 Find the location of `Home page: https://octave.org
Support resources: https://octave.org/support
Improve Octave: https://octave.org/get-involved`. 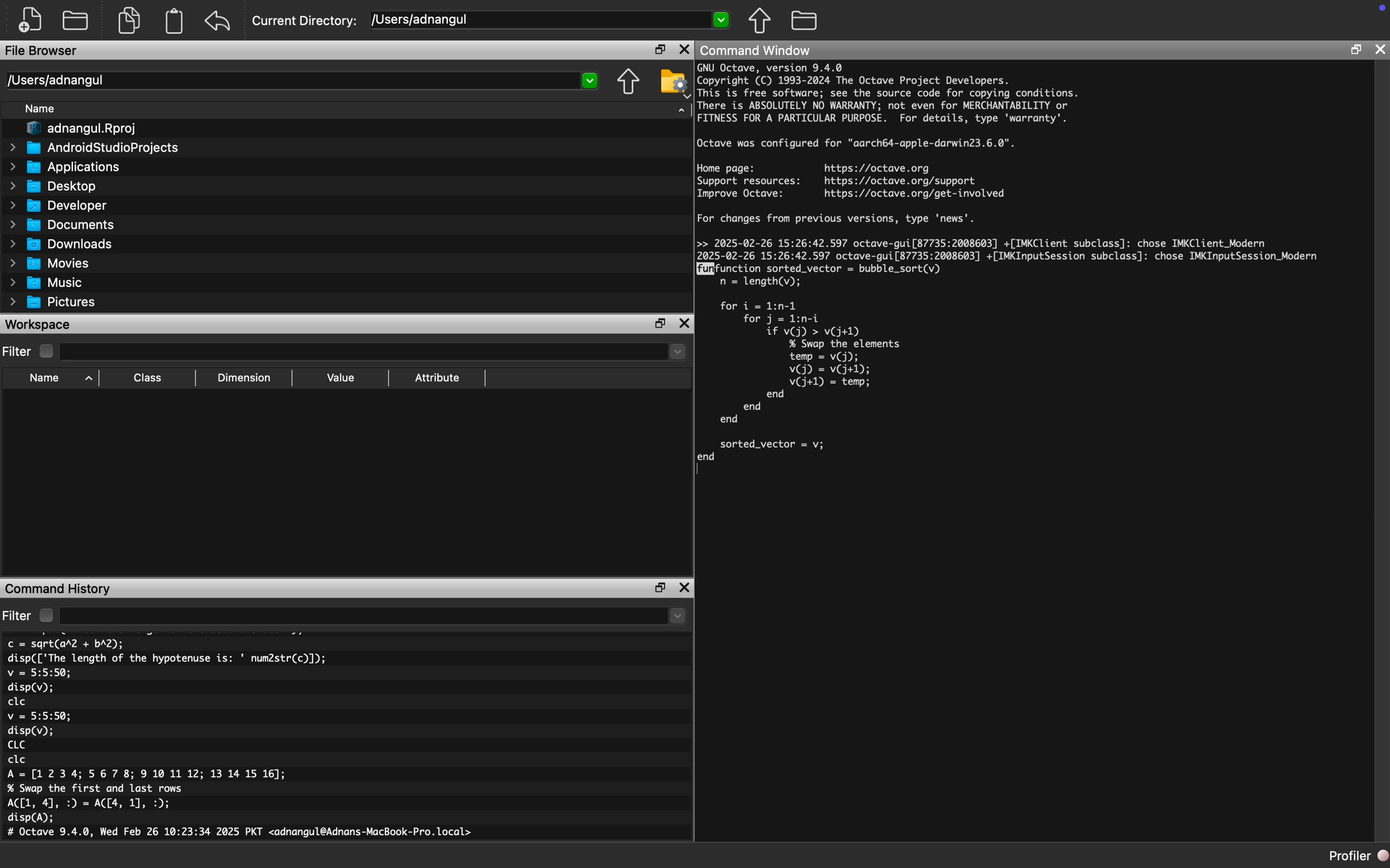

Home page: https://octave.org
Support resources: https://octave.org/support
Improve Octave: https://octave.org/get-involved is located at coordinates (852, 181).